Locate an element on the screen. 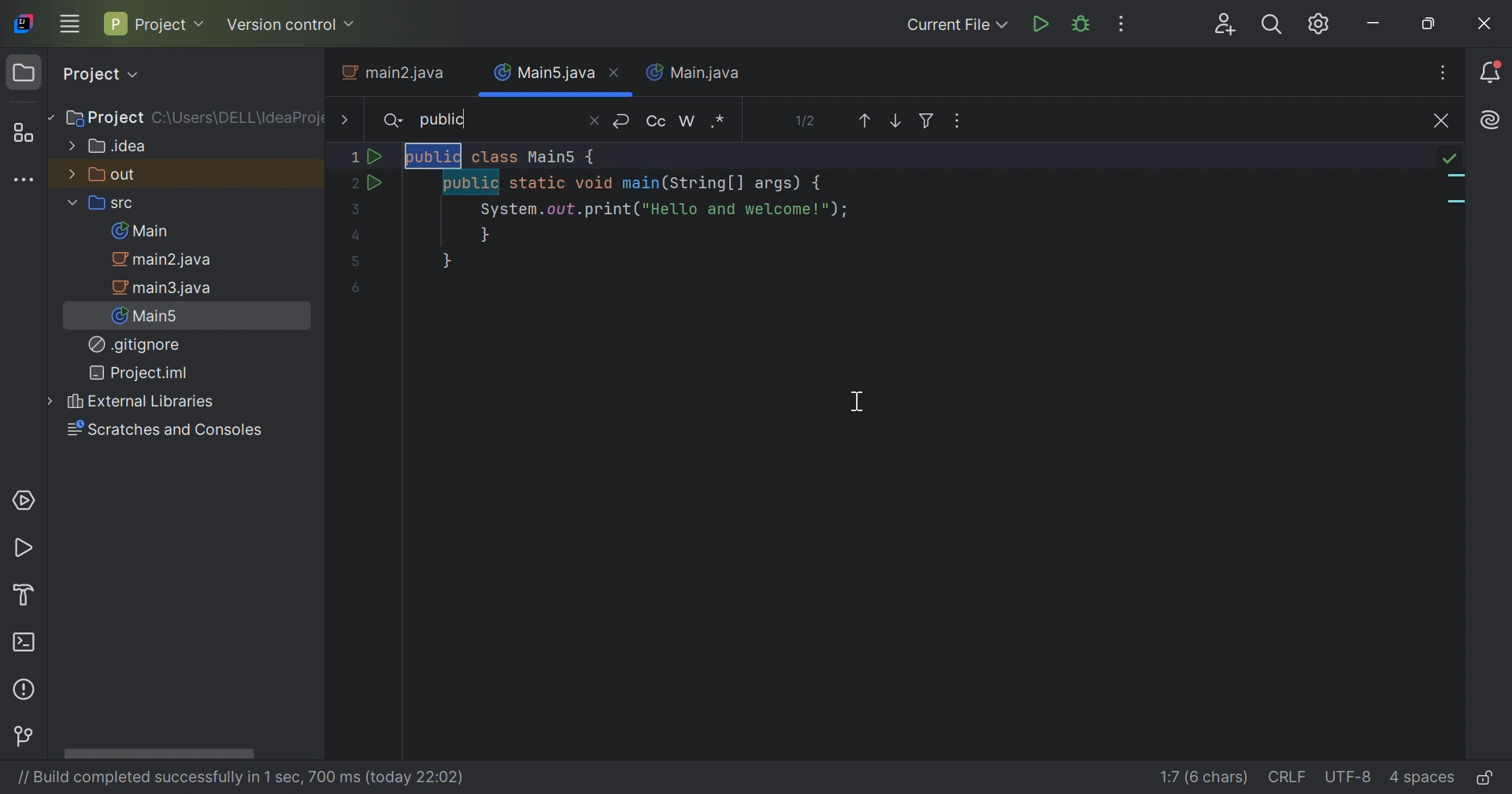 Image resolution: width=1512 pixels, height=794 pixels. More tool windows is located at coordinates (22, 179).